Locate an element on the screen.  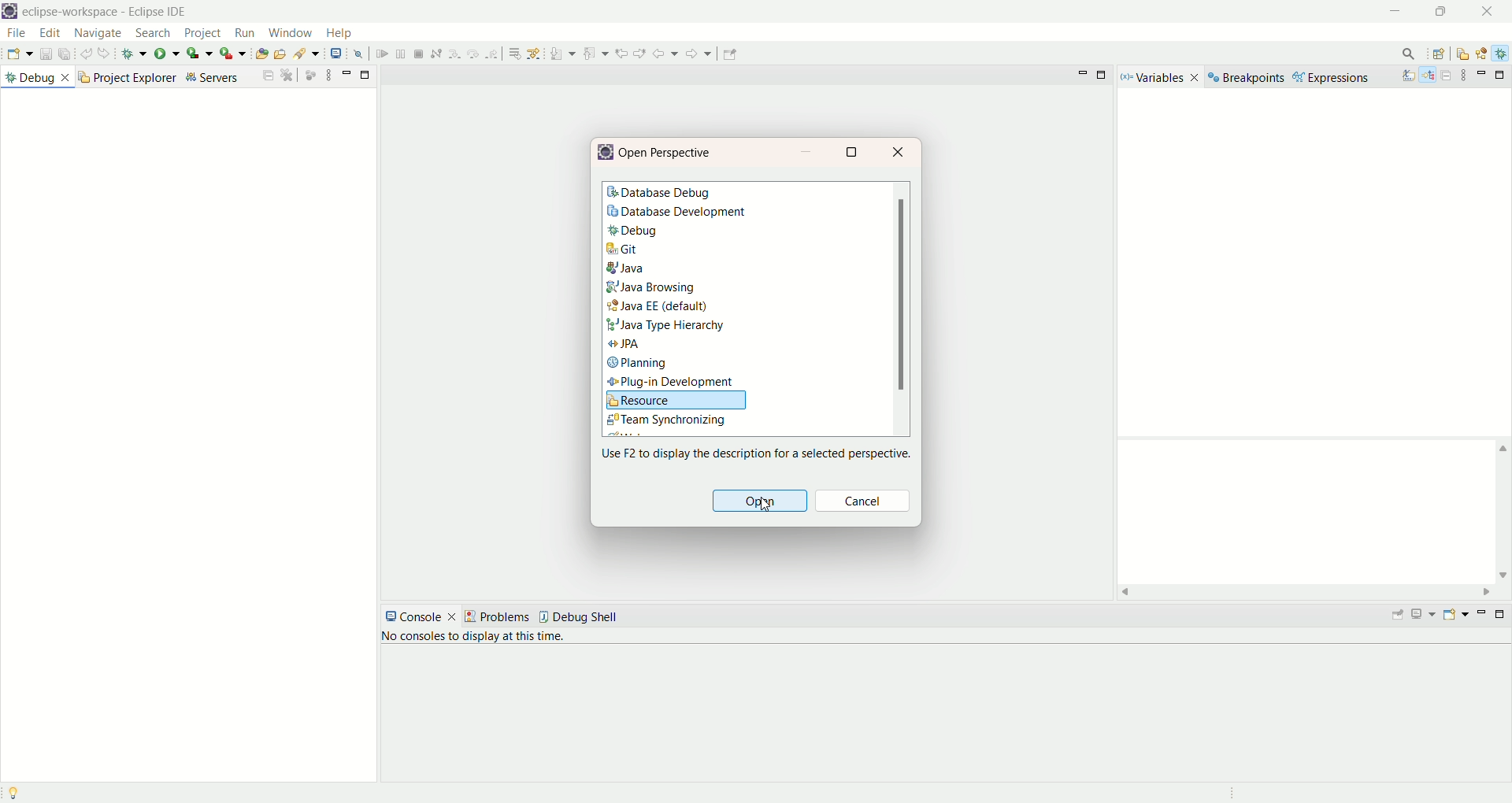
open type is located at coordinates (331, 55).